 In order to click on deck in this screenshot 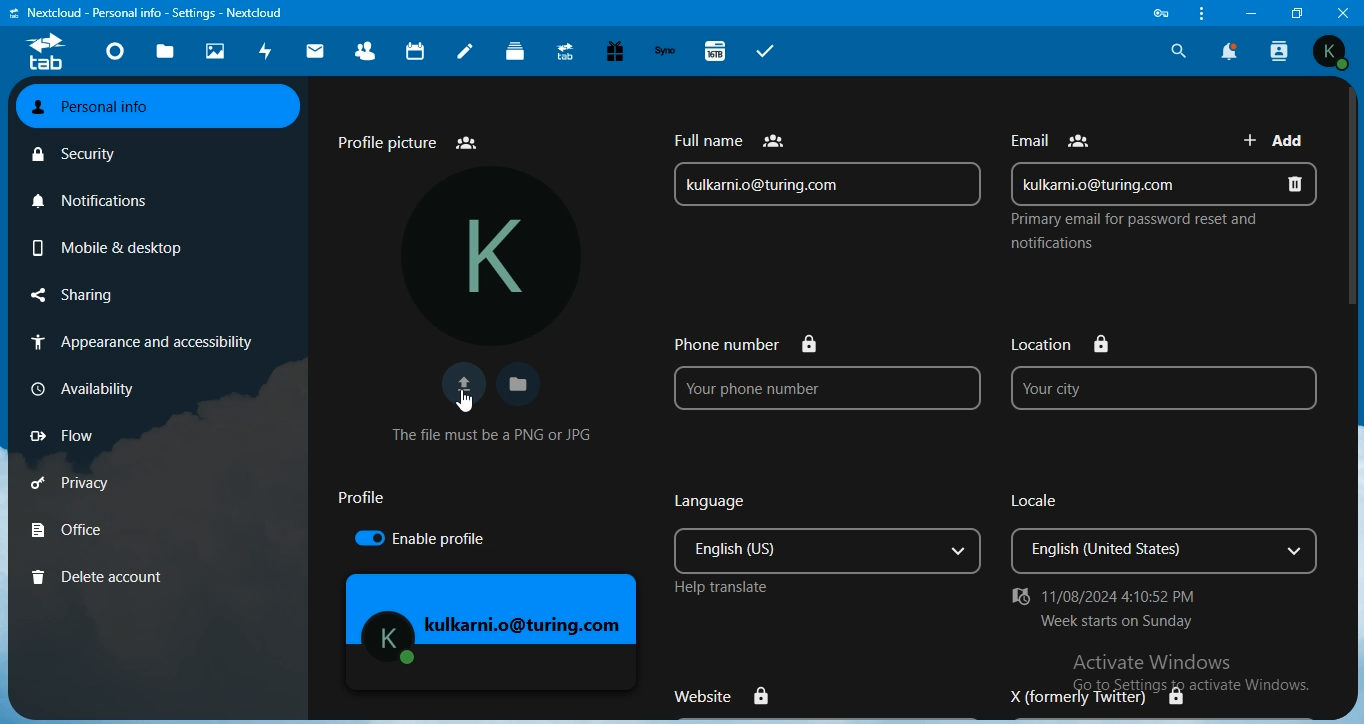, I will do `click(517, 51)`.